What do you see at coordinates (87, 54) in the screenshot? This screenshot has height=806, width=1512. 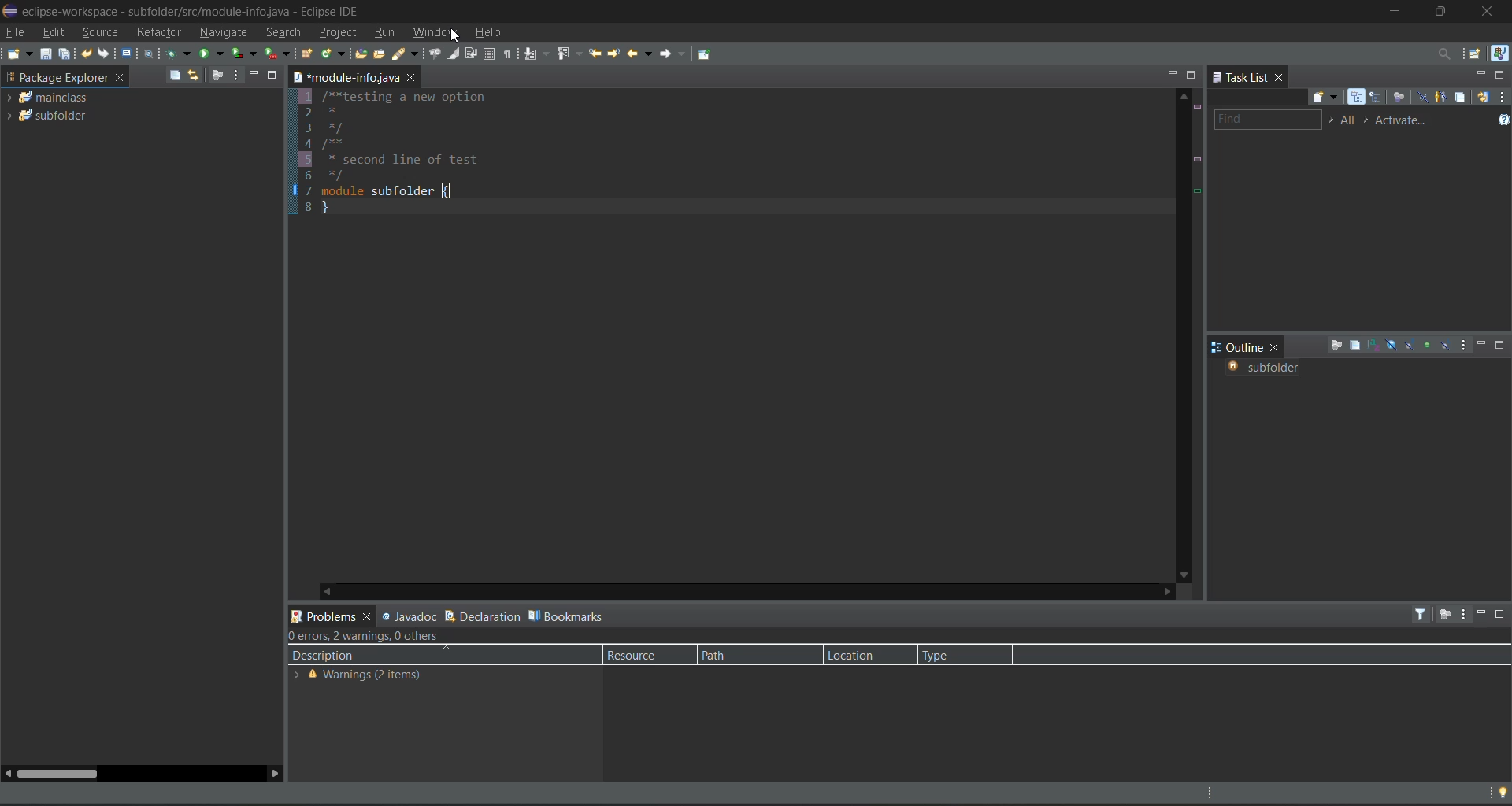 I see `undo` at bounding box center [87, 54].